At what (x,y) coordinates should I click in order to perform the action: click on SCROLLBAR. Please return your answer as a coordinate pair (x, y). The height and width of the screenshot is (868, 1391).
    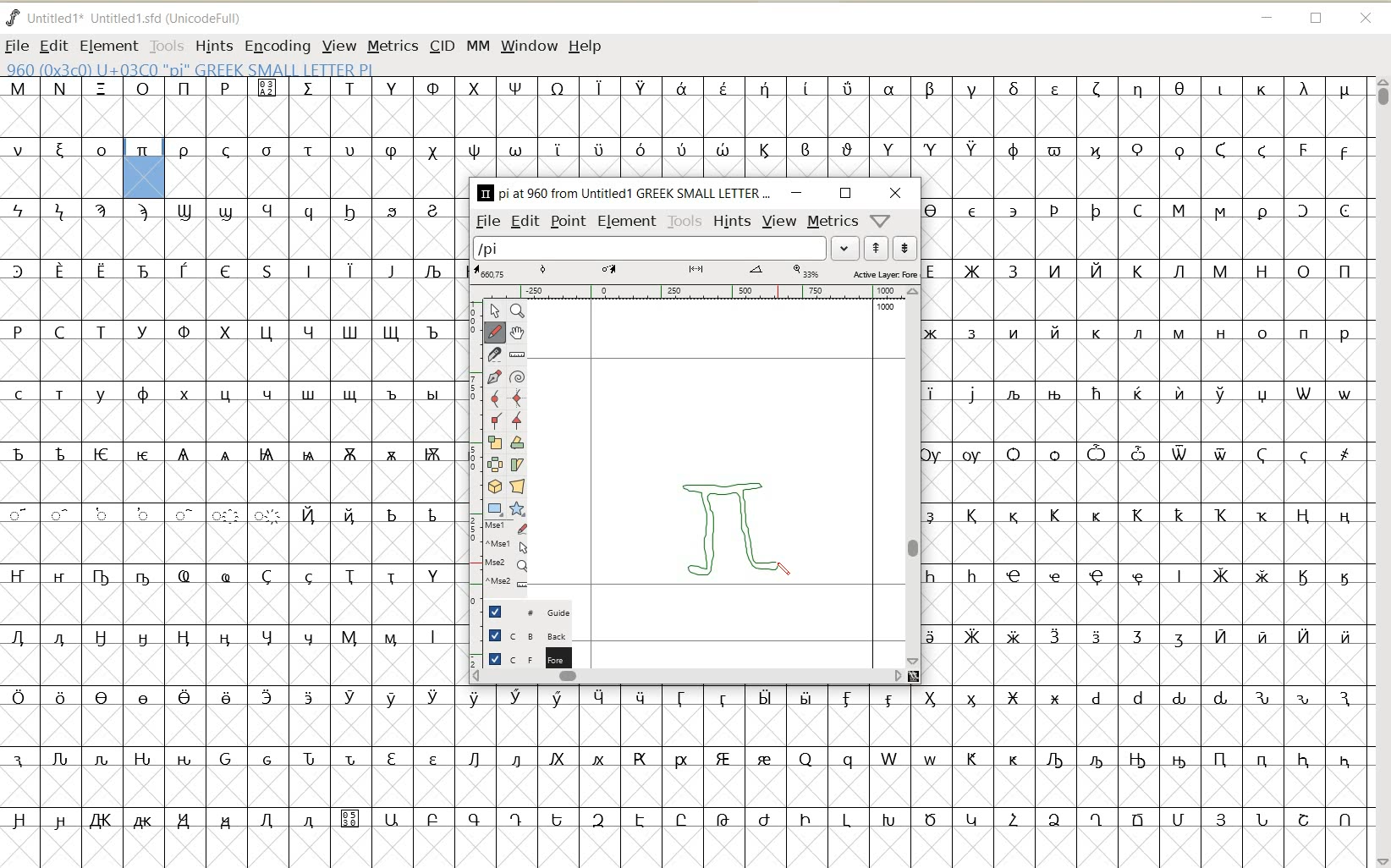
    Looking at the image, I should click on (914, 477).